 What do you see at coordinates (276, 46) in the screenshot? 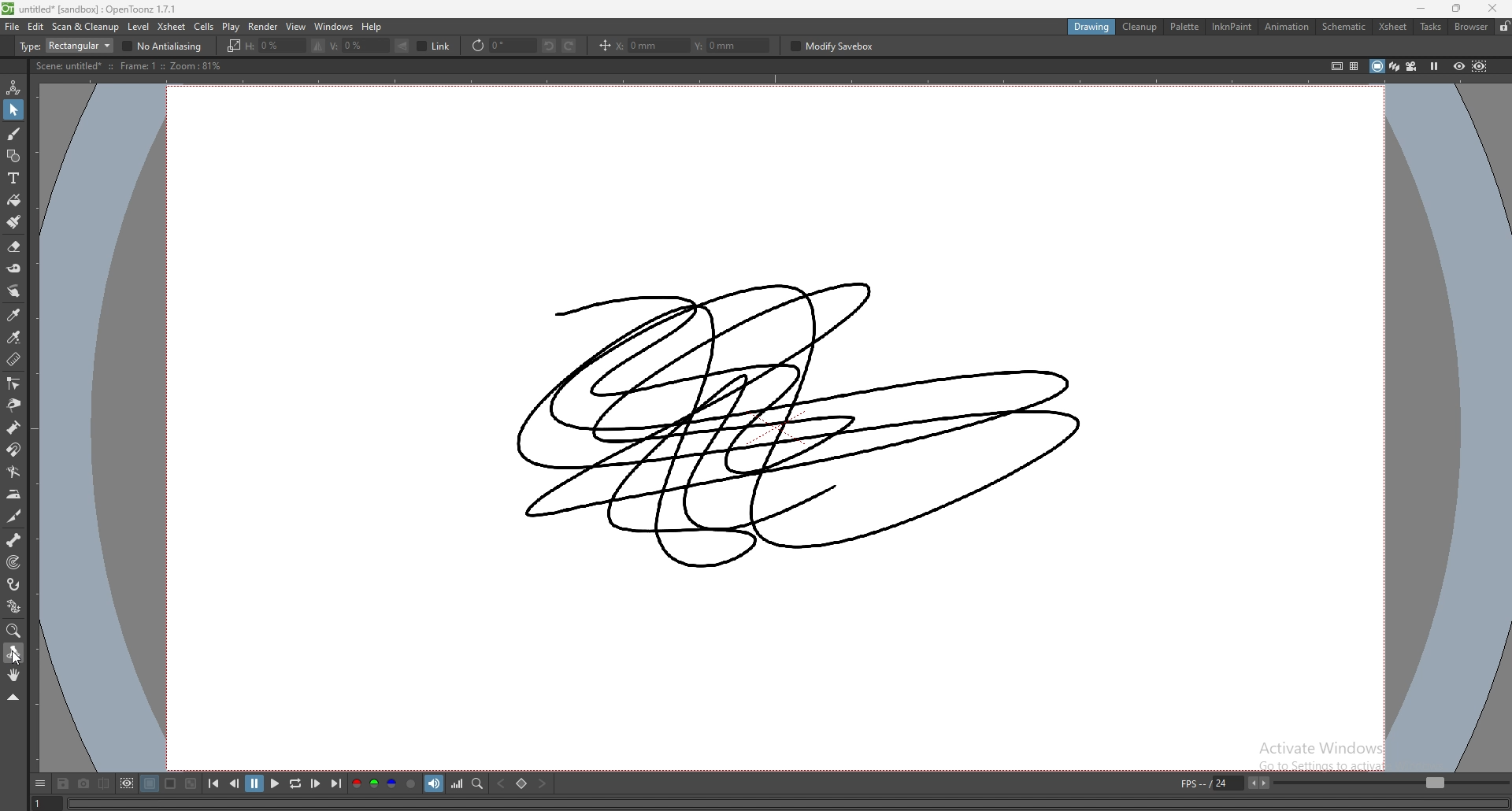
I see `horizontal` at bounding box center [276, 46].